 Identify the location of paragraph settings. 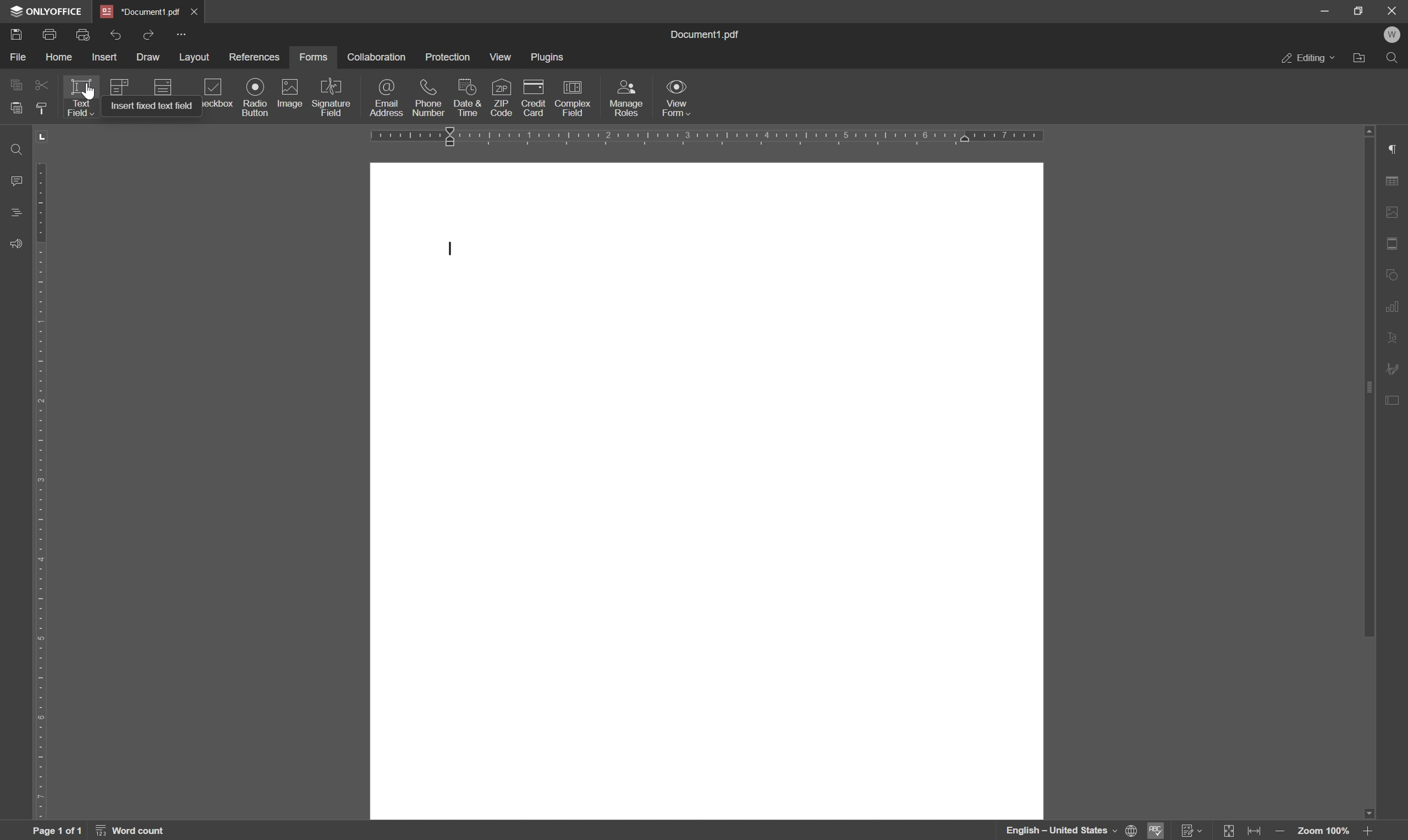
(1394, 148).